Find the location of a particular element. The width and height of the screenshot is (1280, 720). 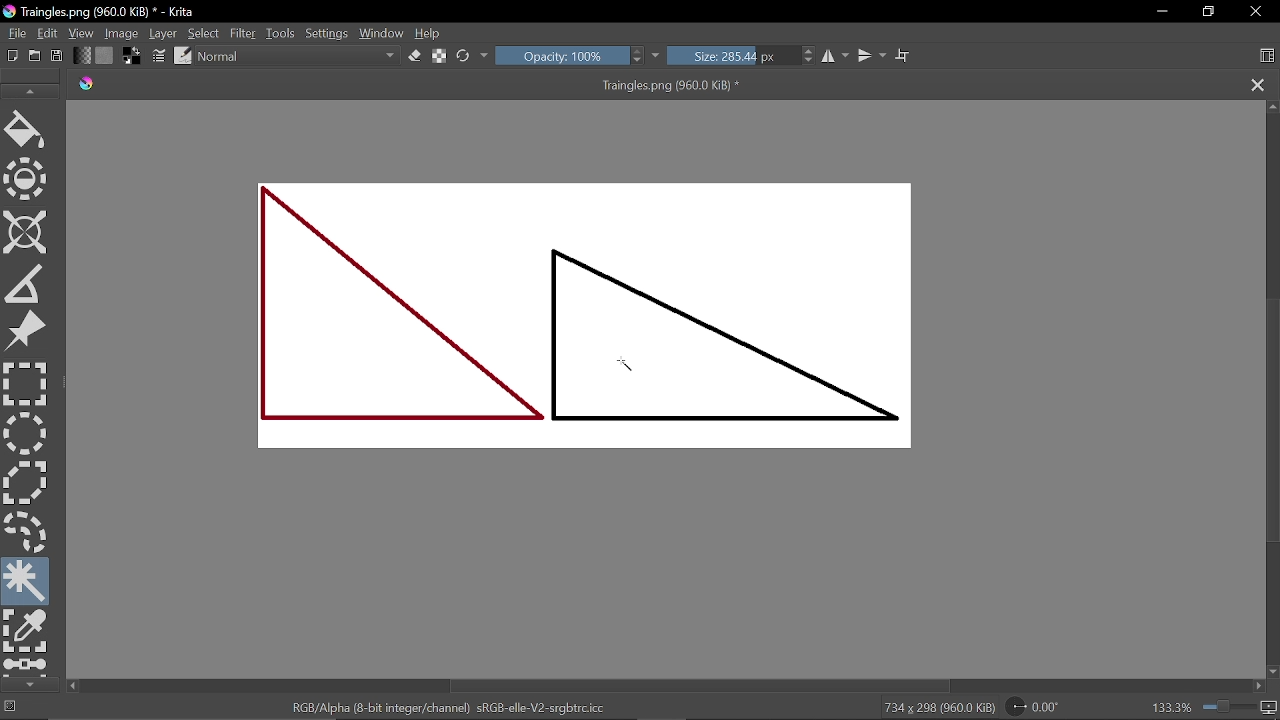

Move up is located at coordinates (1272, 108).